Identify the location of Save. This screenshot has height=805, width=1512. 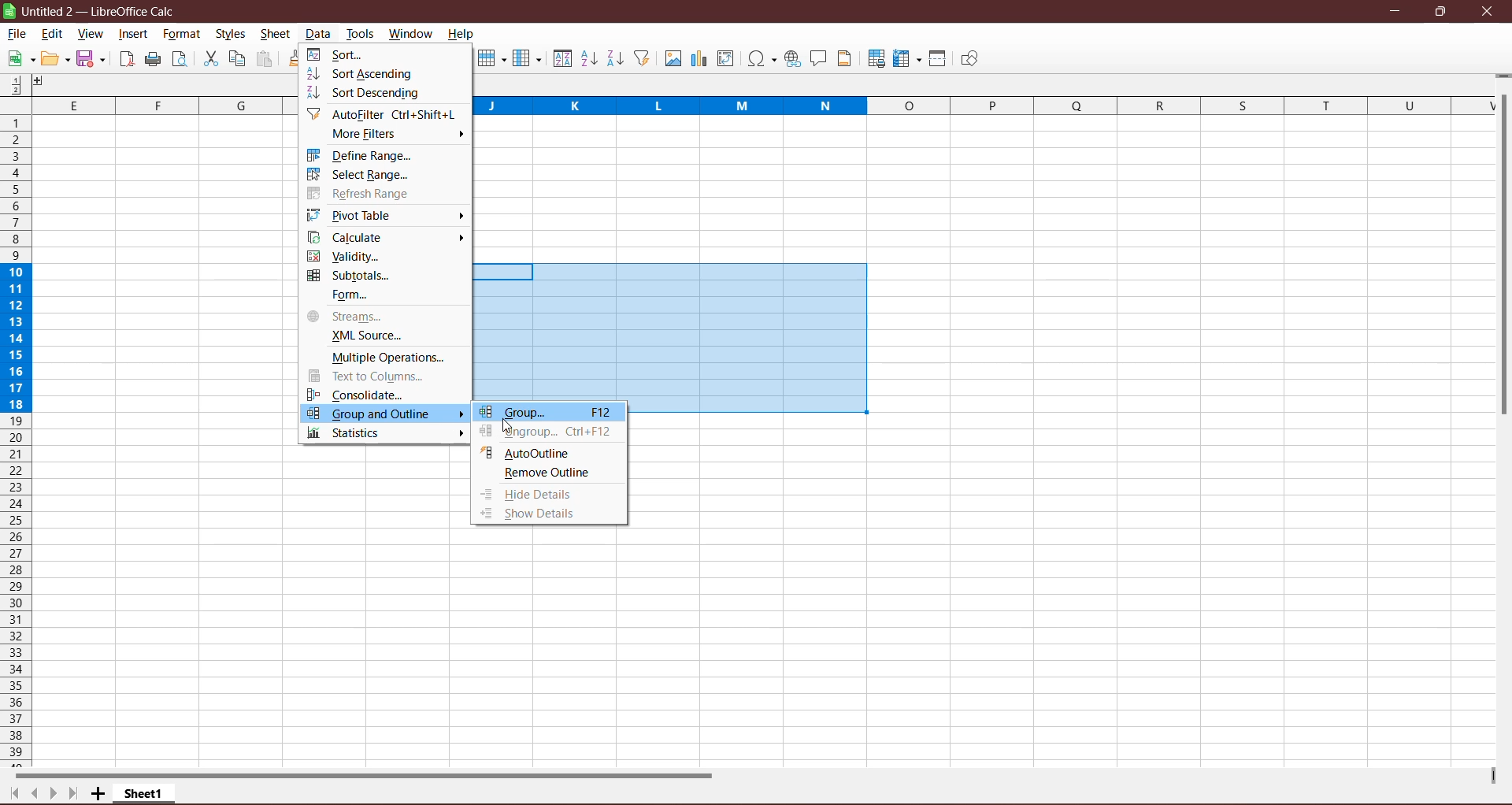
(93, 60).